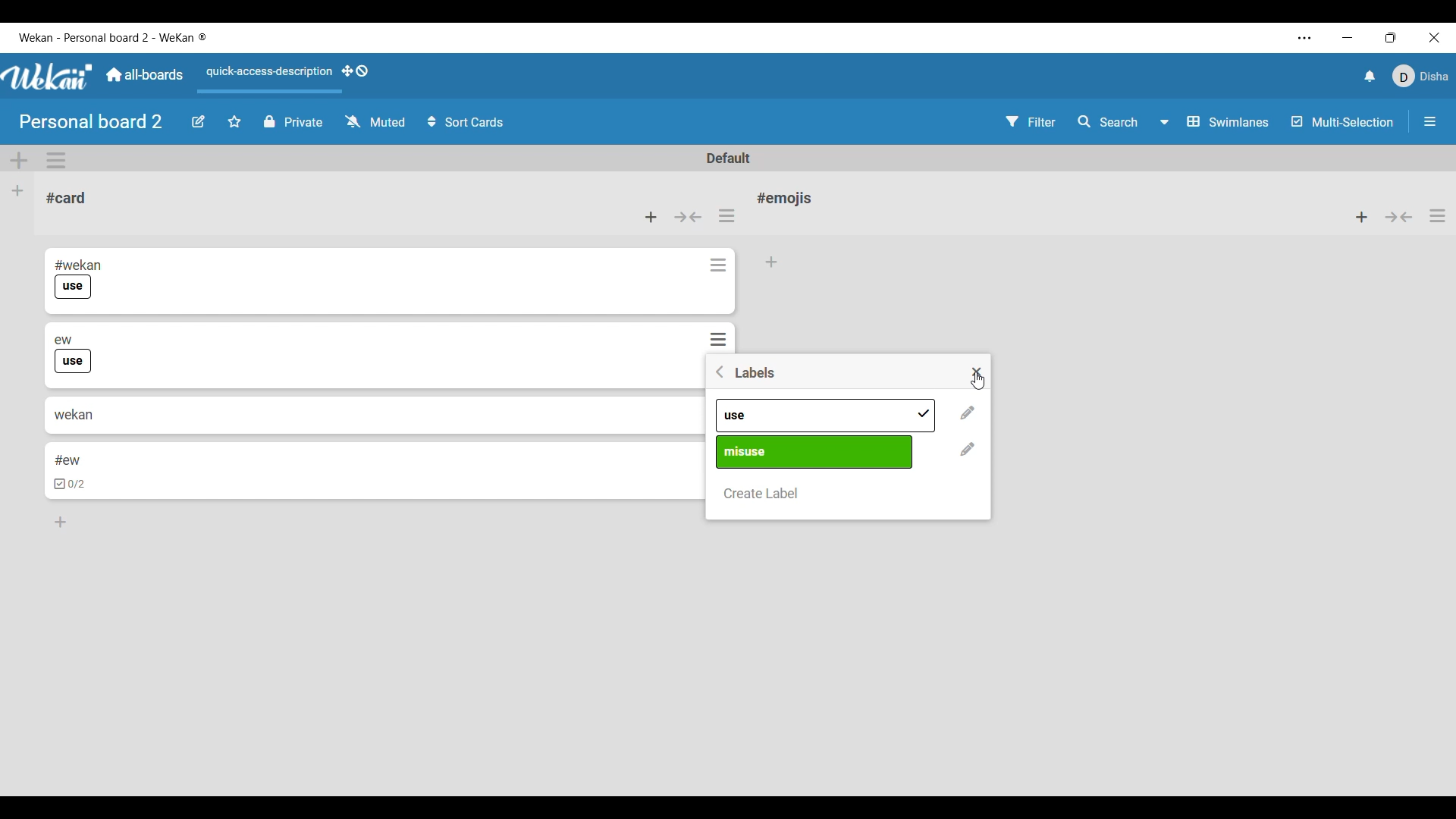  Describe the element at coordinates (1031, 121) in the screenshot. I see `Filter settings` at that location.